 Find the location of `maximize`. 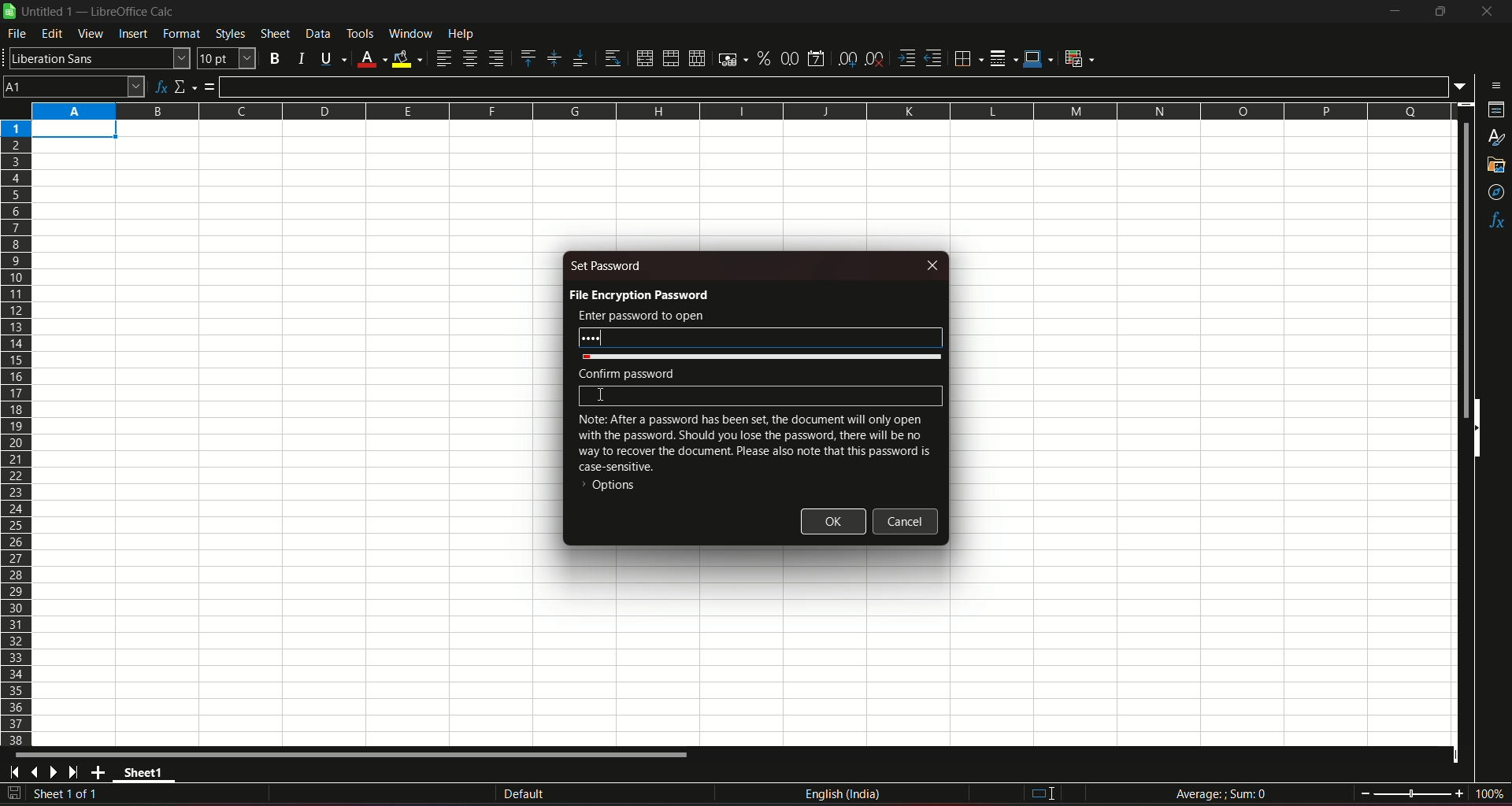

maximize is located at coordinates (1440, 12).